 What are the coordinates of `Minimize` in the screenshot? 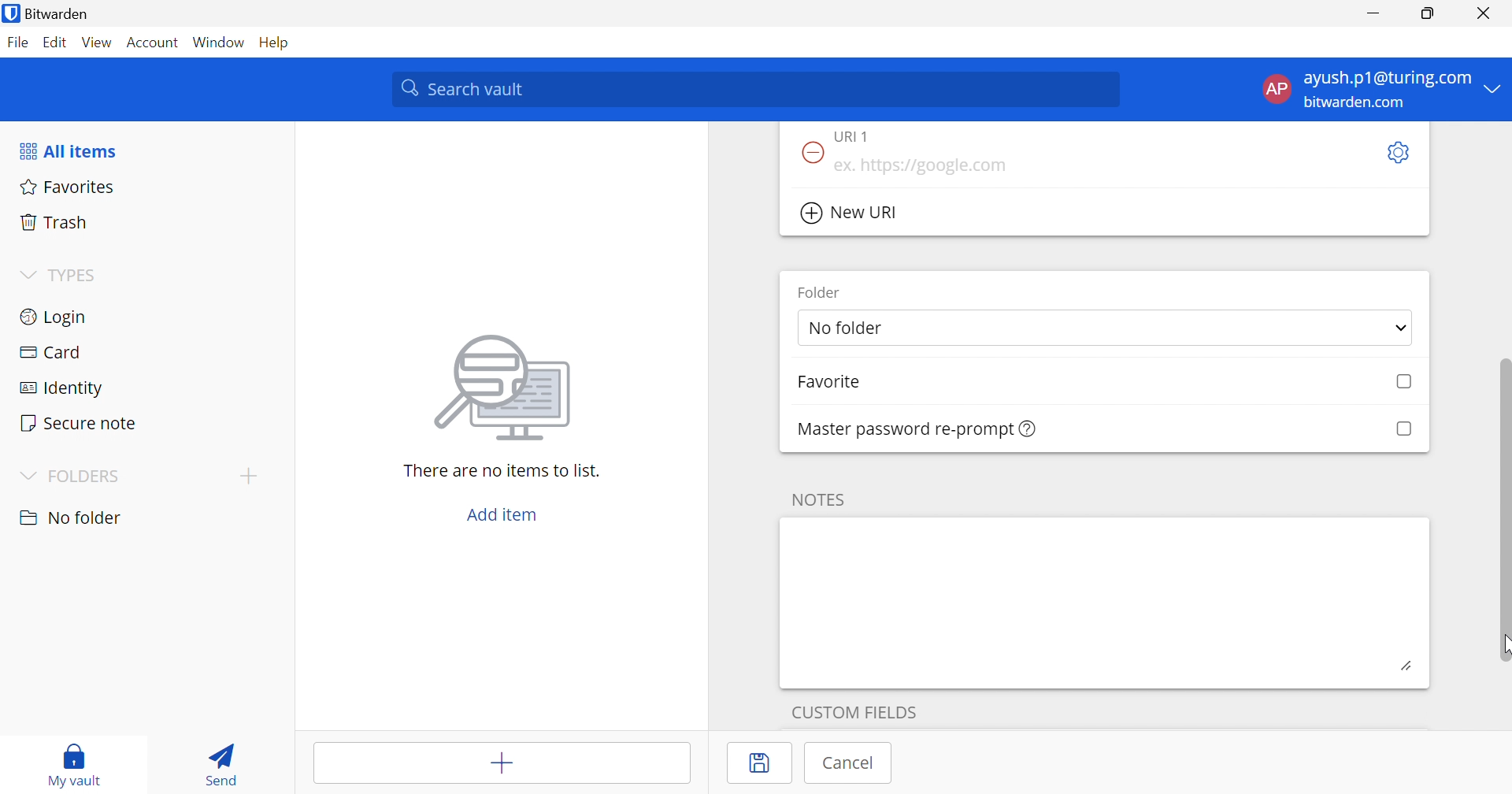 It's located at (1373, 14).